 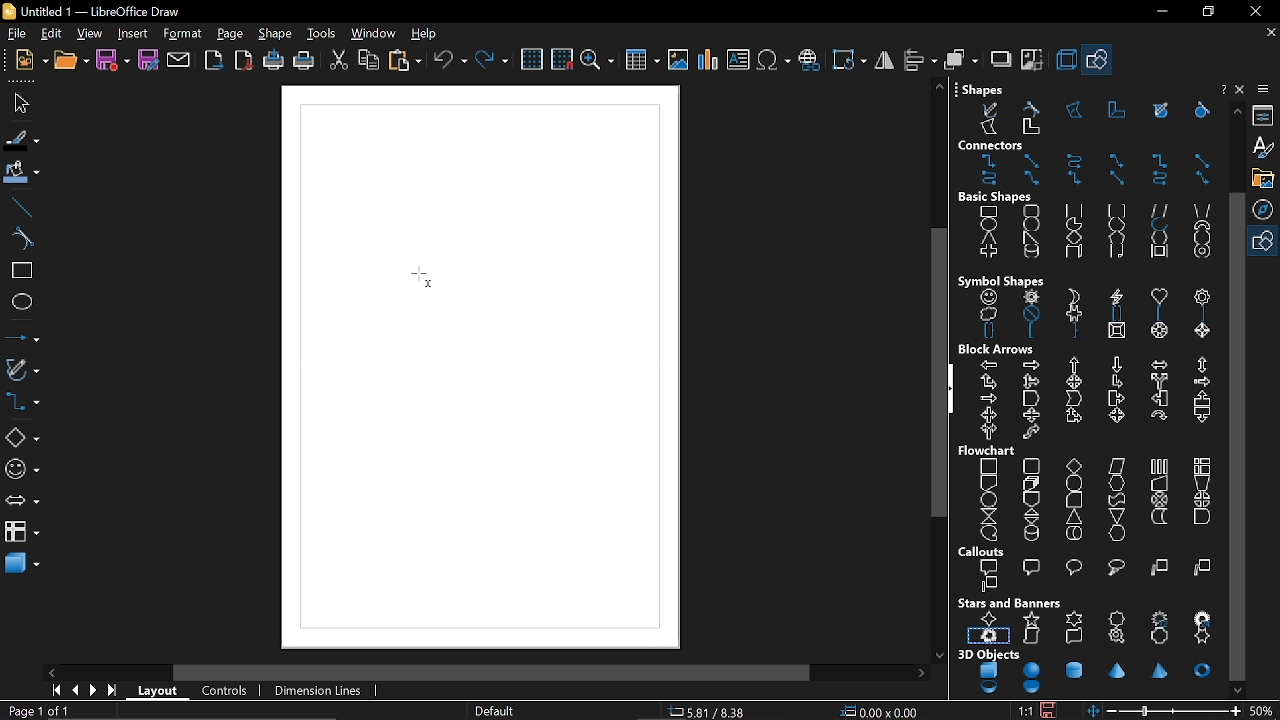 What do you see at coordinates (1239, 436) in the screenshot?
I see `Vertical scrollbar for shapes` at bounding box center [1239, 436].